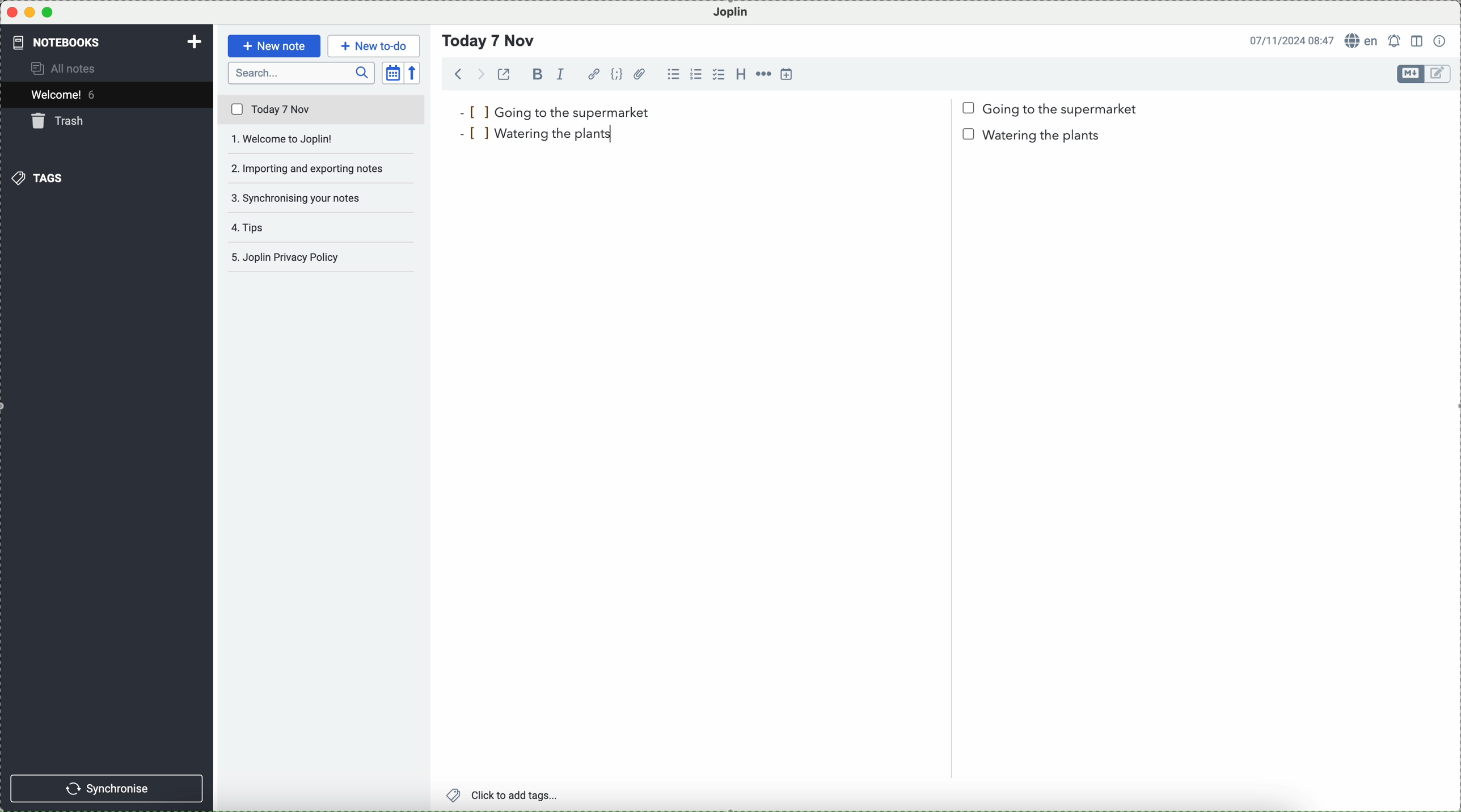 The width and height of the screenshot is (1461, 812). Describe the element at coordinates (322, 110) in the screenshot. I see `today 7 nov` at that location.